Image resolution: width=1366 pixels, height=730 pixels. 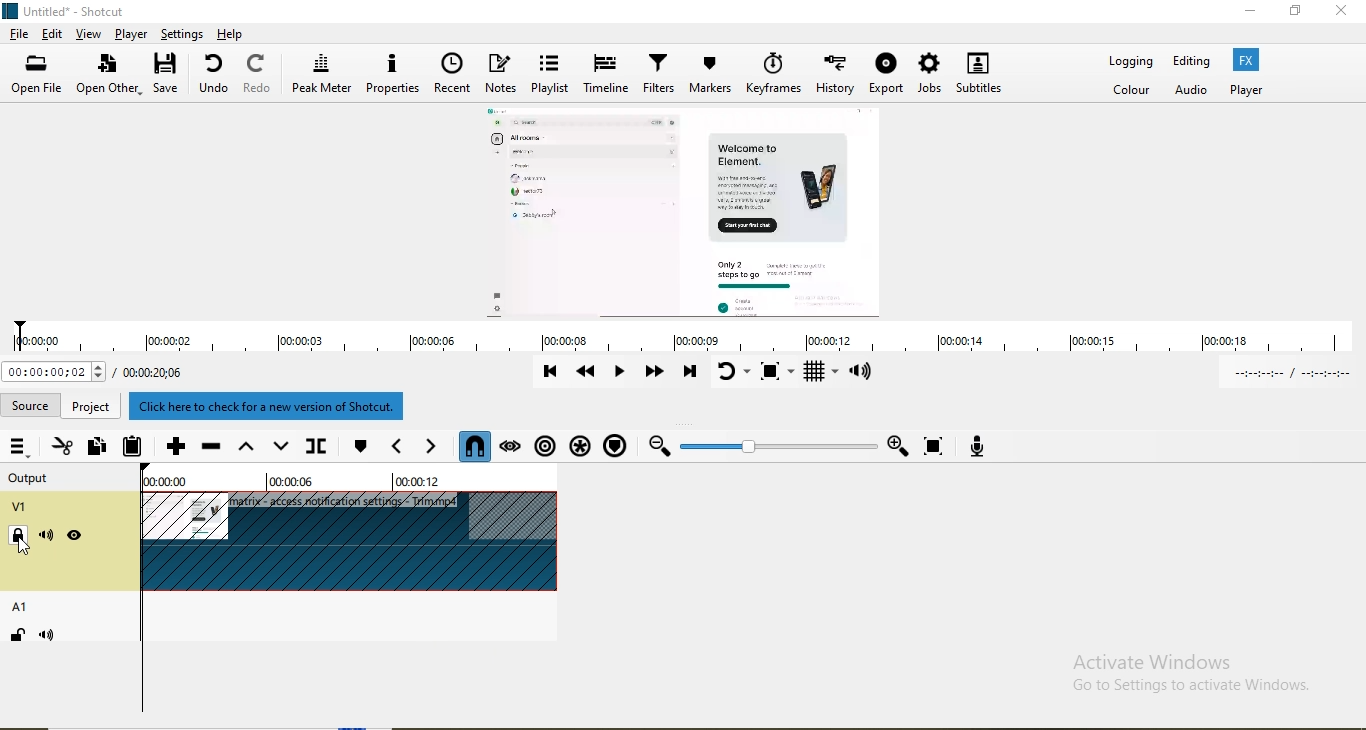 What do you see at coordinates (232, 34) in the screenshot?
I see `help` at bounding box center [232, 34].